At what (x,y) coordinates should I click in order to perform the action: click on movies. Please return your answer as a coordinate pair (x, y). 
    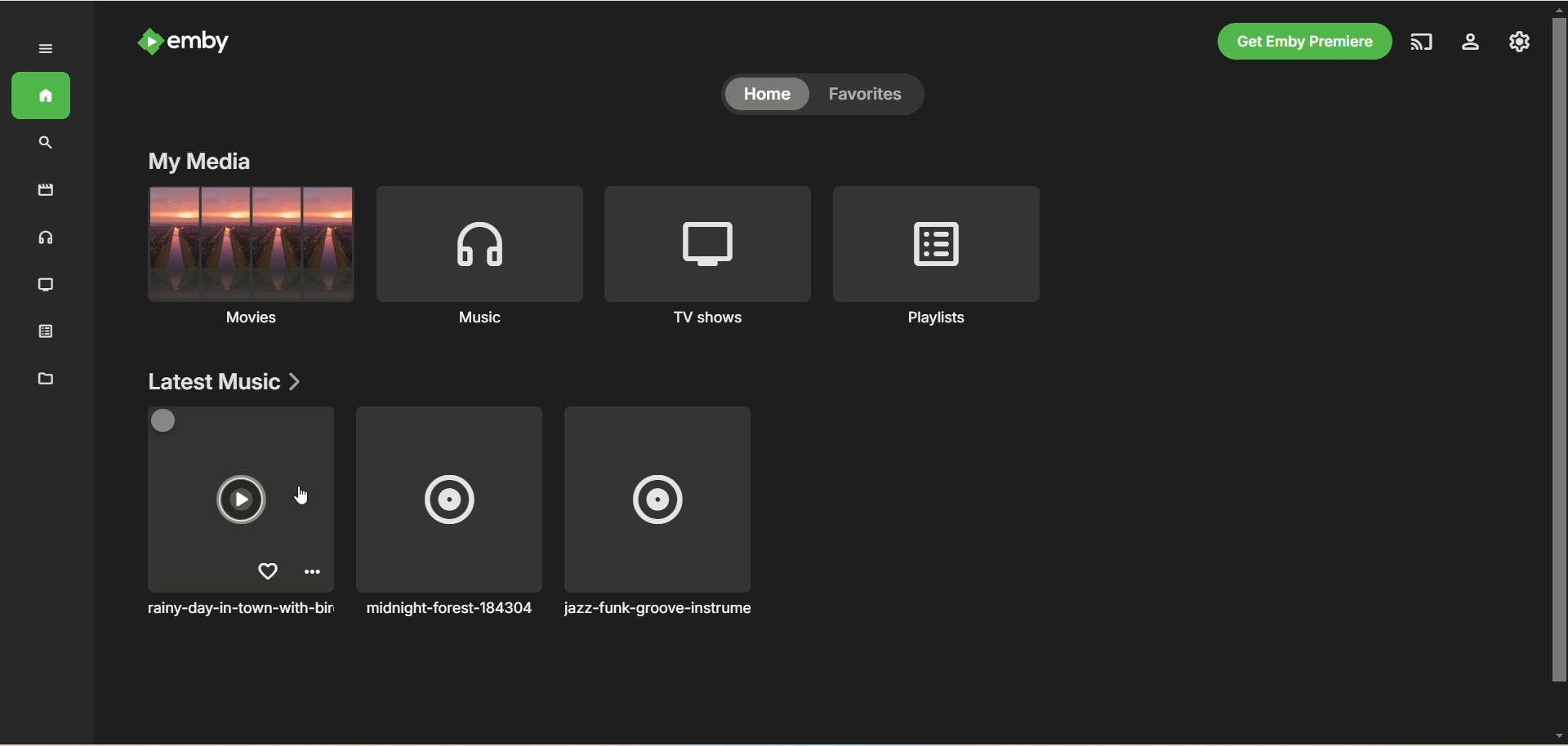
    Looking at the image, I should click on (50, 191).